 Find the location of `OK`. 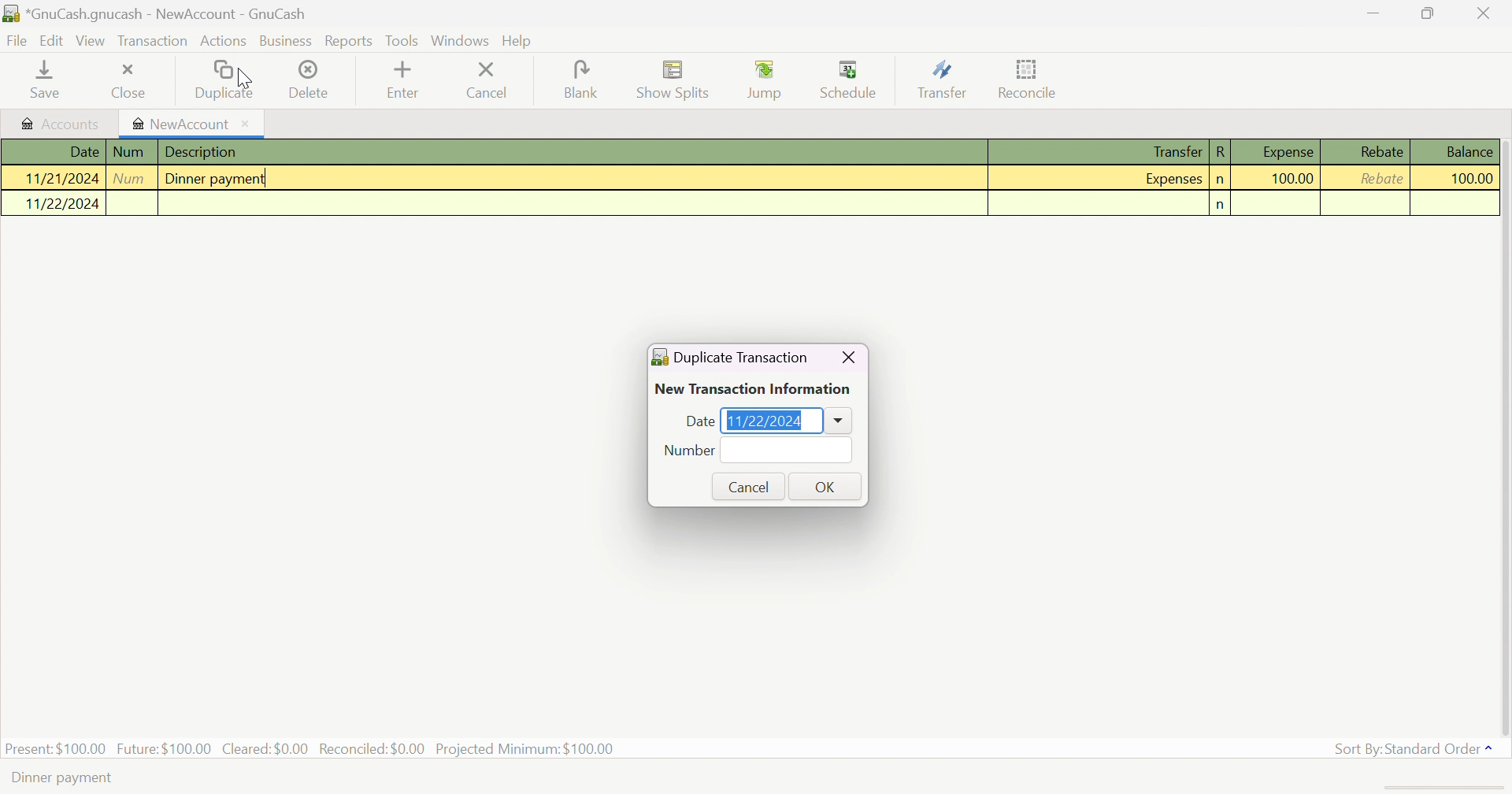

OK is located at coordinates (826, 486).